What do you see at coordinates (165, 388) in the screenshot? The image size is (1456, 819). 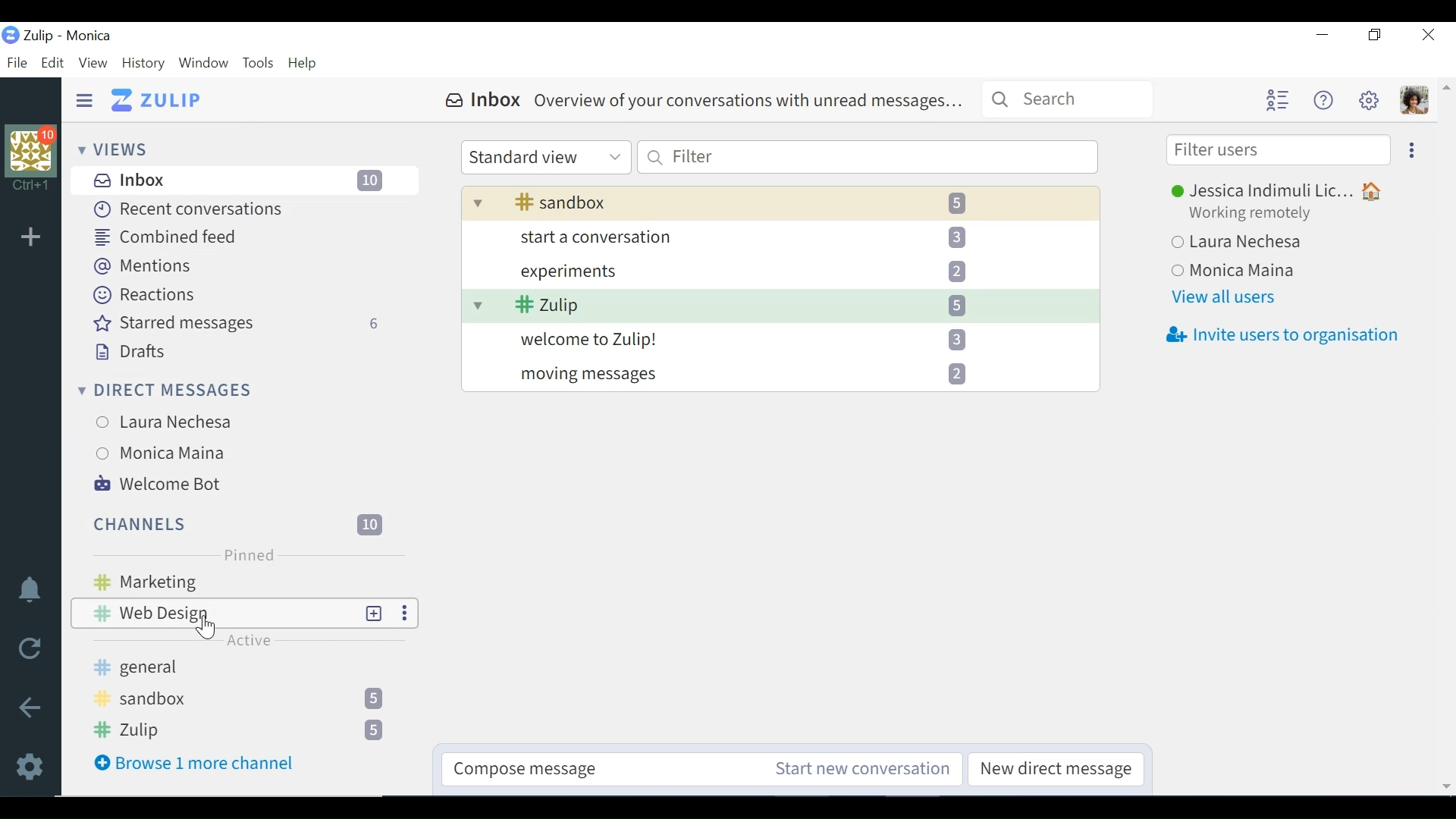 I see `Direct Messages menu` at bounding box center [165, 388].